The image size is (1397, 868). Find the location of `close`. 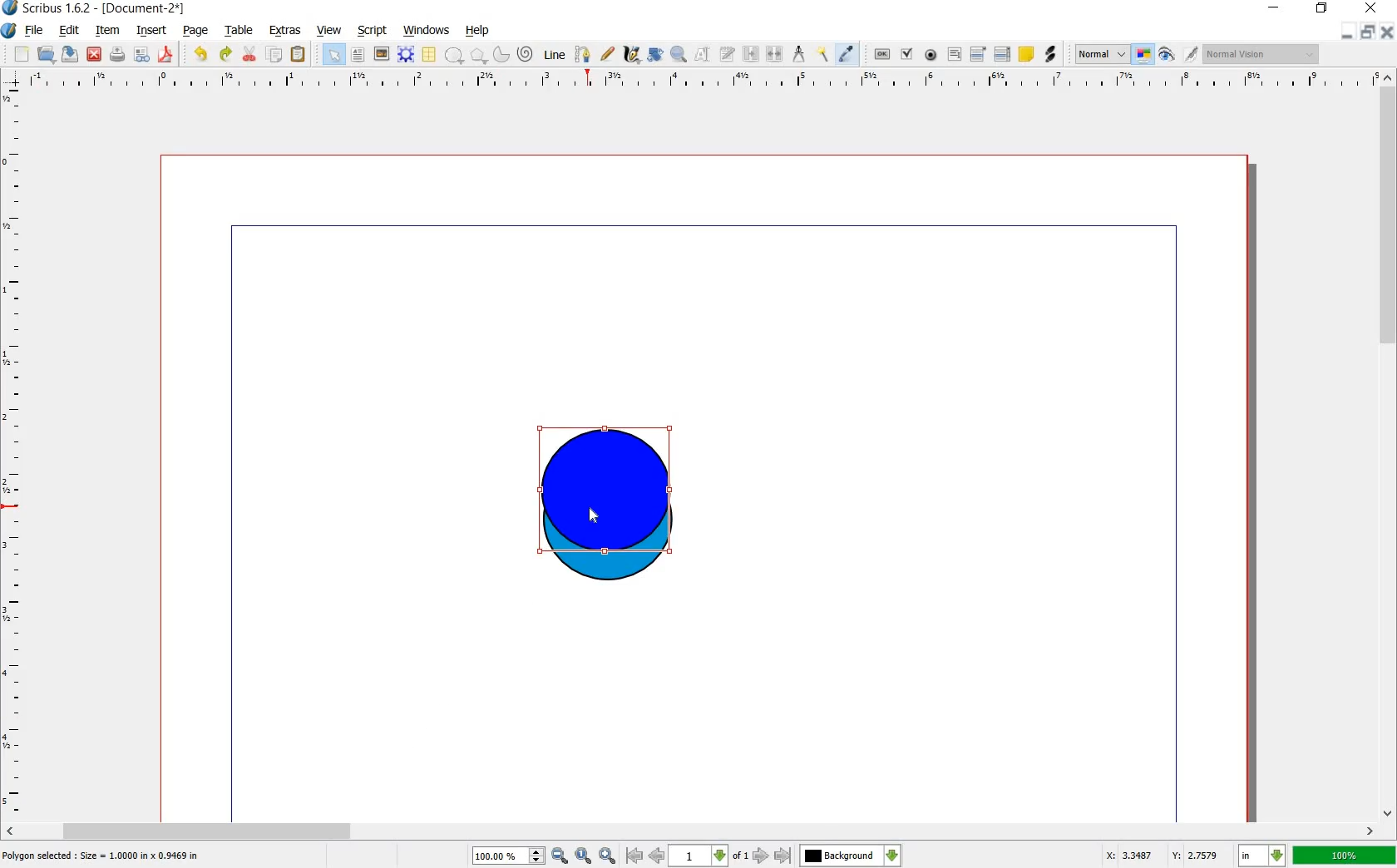

close is located at coordinates (95, 55).